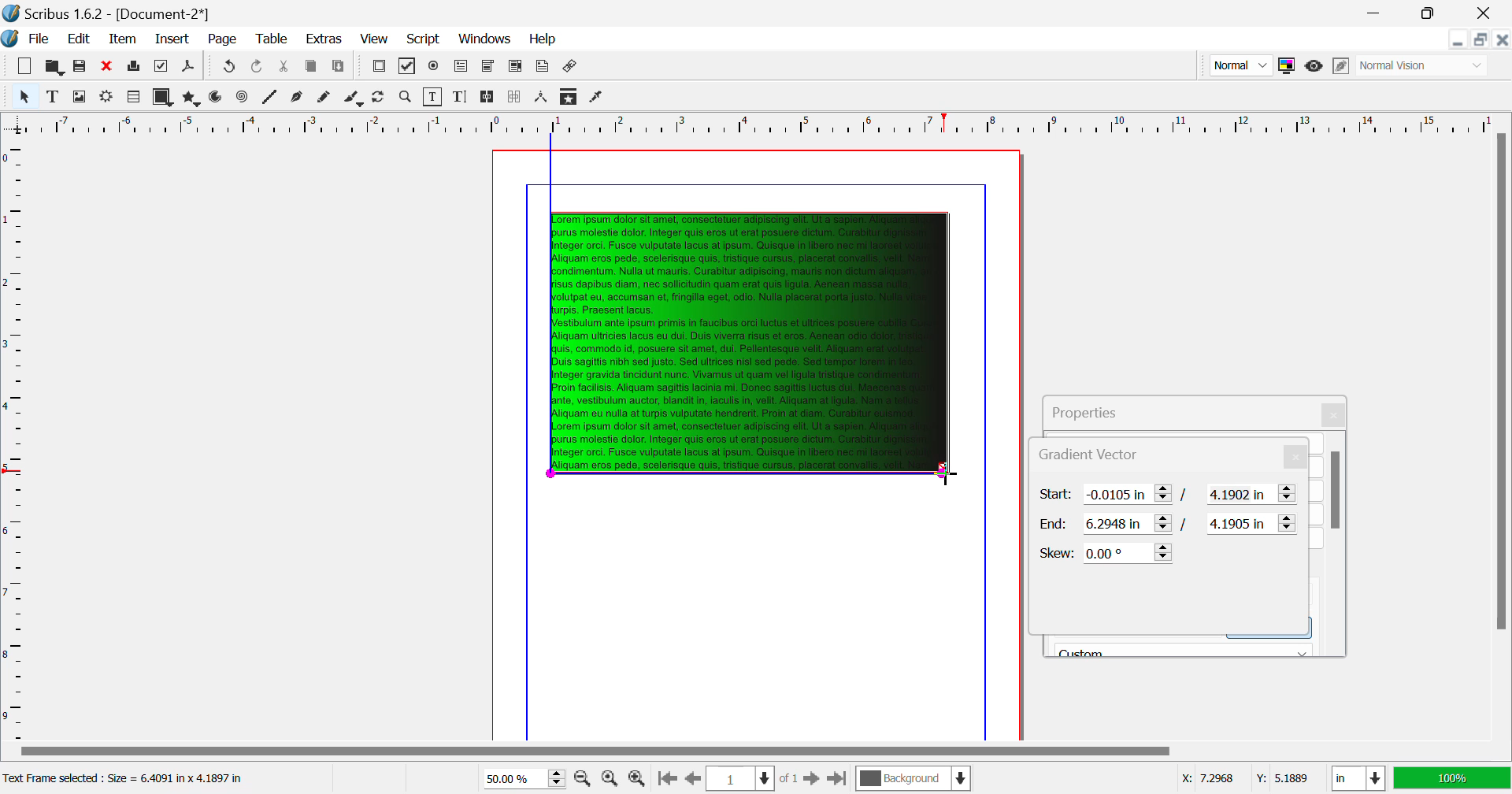  Describe the element at coordinates (354, 99) in the screenshot. I see `Calligraphic Line` at that location.